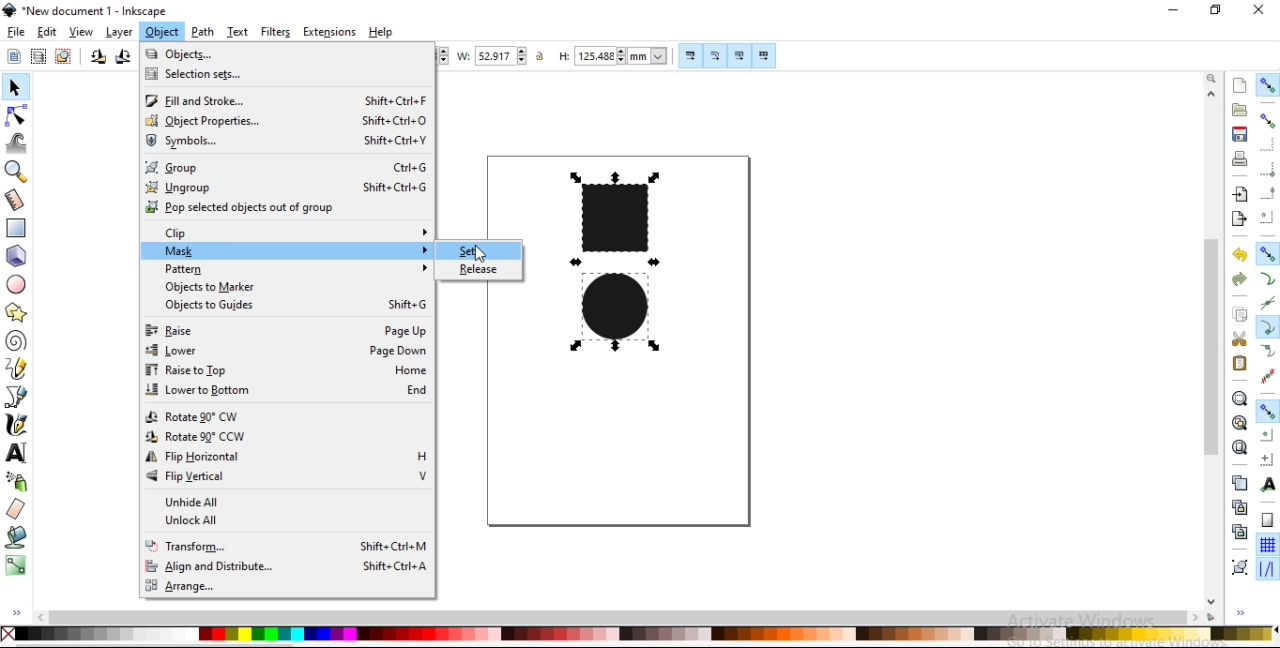 The image size is (1280, 648). Describe the element at coordinates (282, 460) in the screenshot. I see `flip horizontal` at that location.